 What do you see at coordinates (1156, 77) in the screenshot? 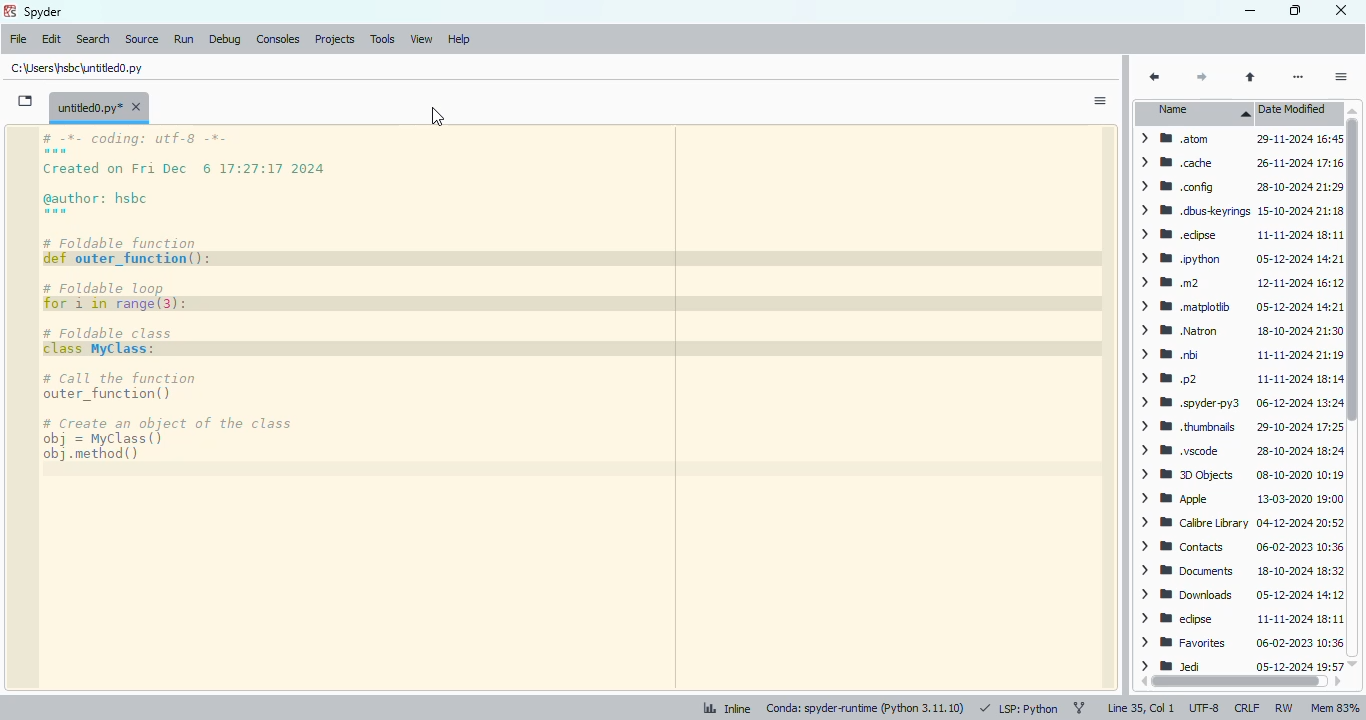
I see `back` at bounding box center [1156, 77].